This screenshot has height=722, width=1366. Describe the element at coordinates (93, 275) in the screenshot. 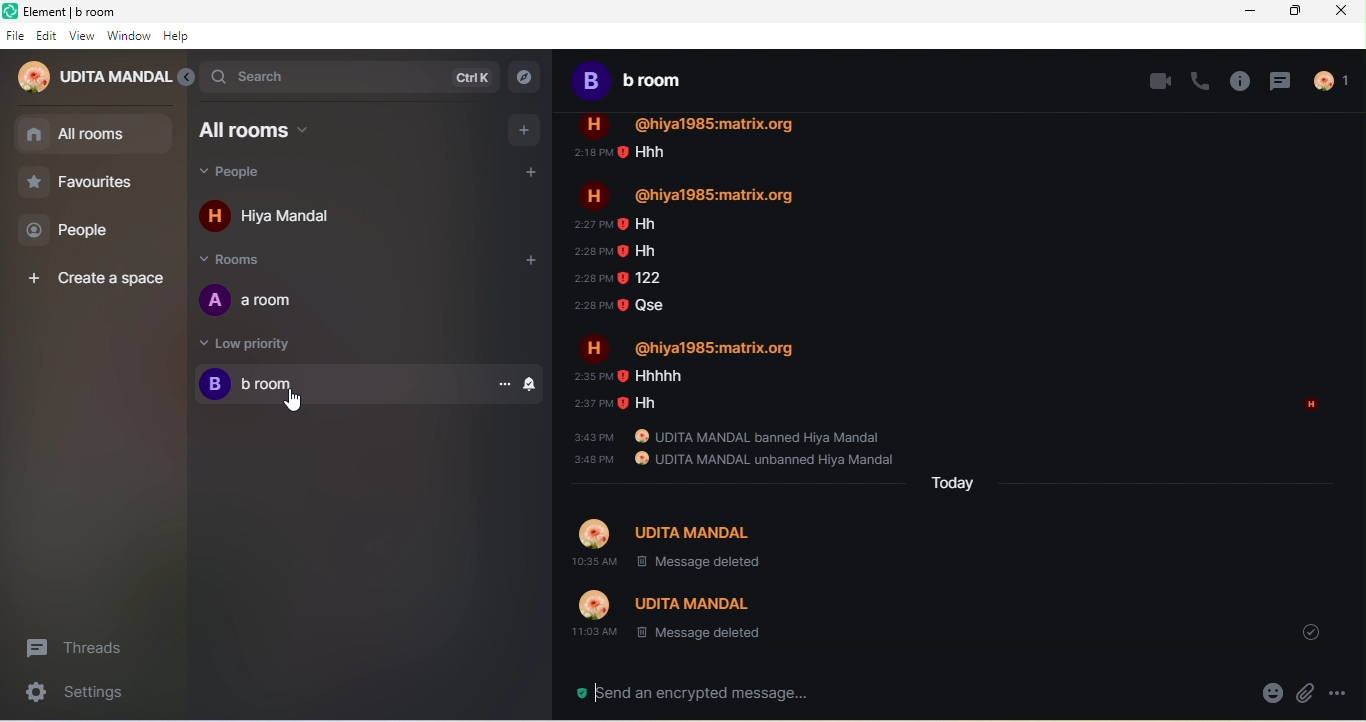

I see `create a space` at that location.